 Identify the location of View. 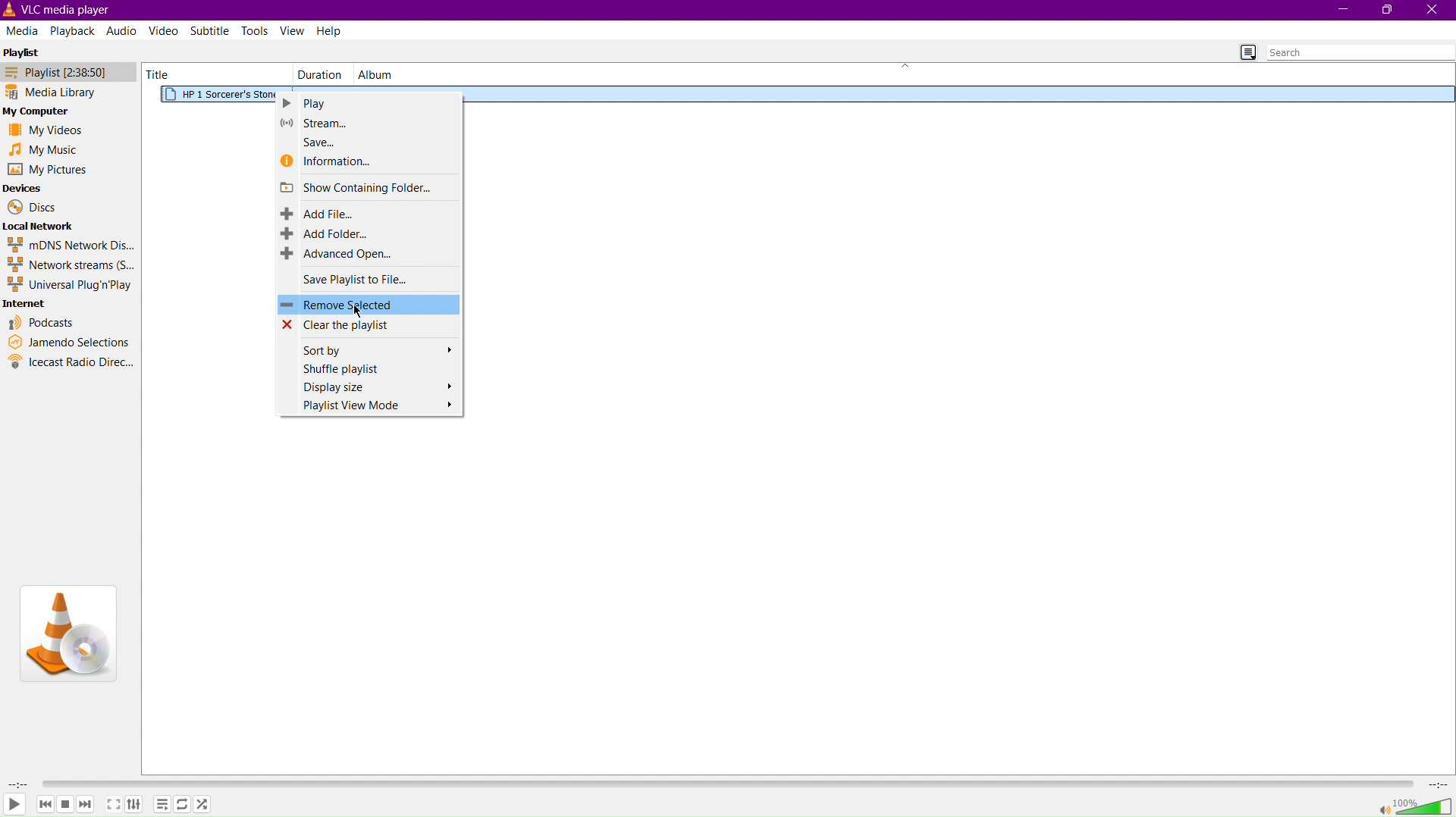
(293, 31).